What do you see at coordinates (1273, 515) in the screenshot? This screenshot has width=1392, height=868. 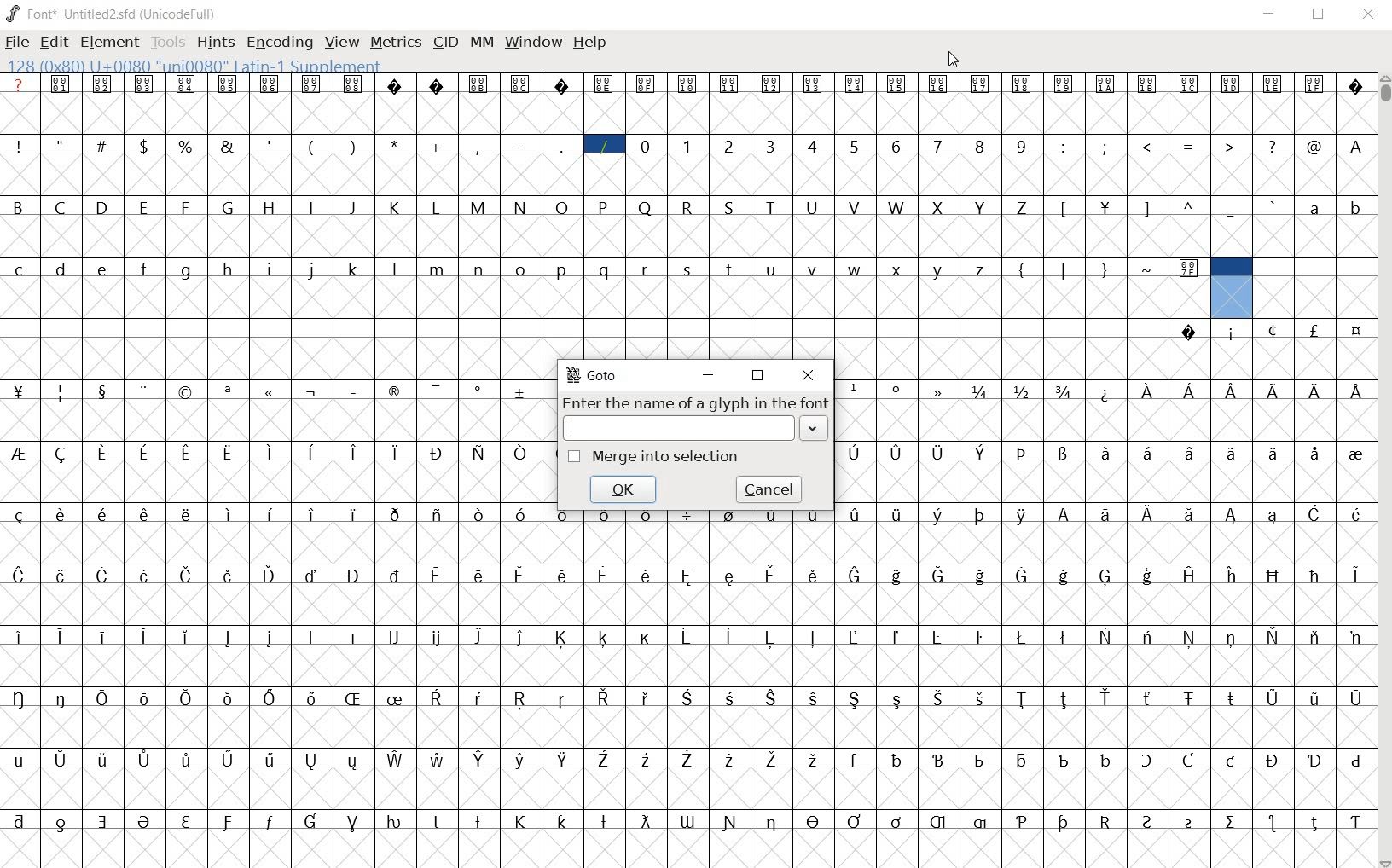 I see `Symbol` at bounding box center [1273, 515].